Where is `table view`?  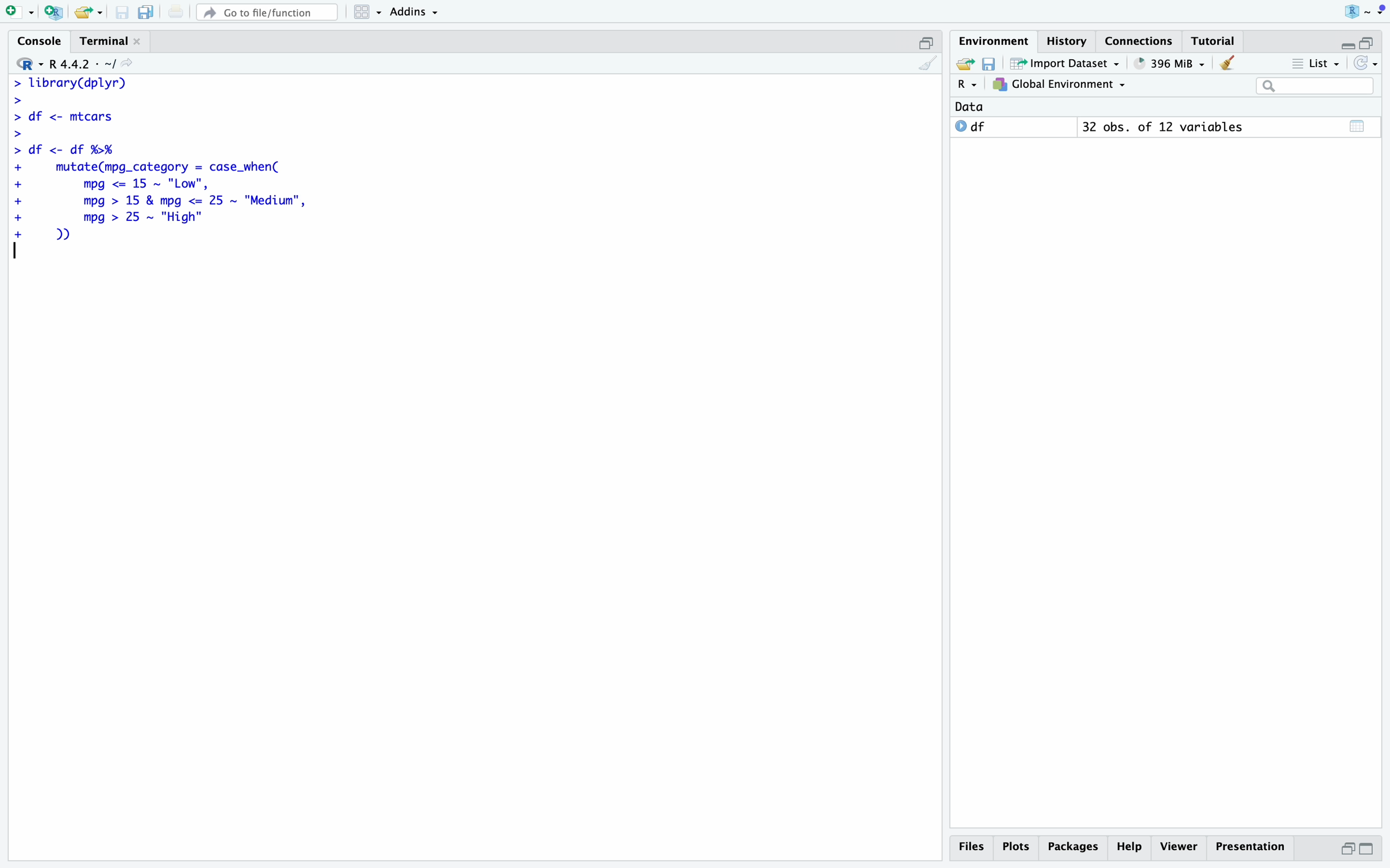 table view is located at coordinates (1357, 126).